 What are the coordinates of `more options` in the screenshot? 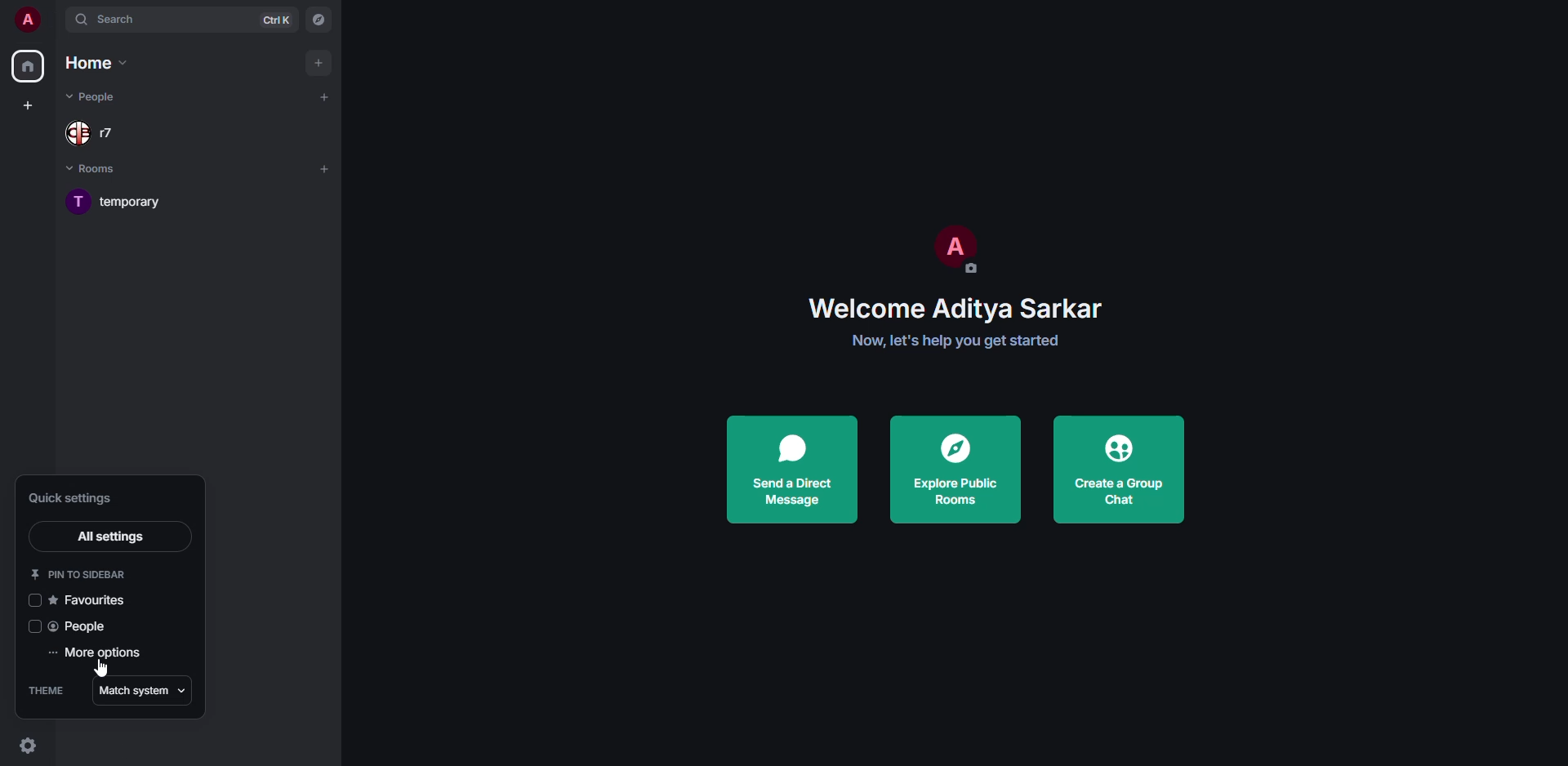 It's located at (95, 652).